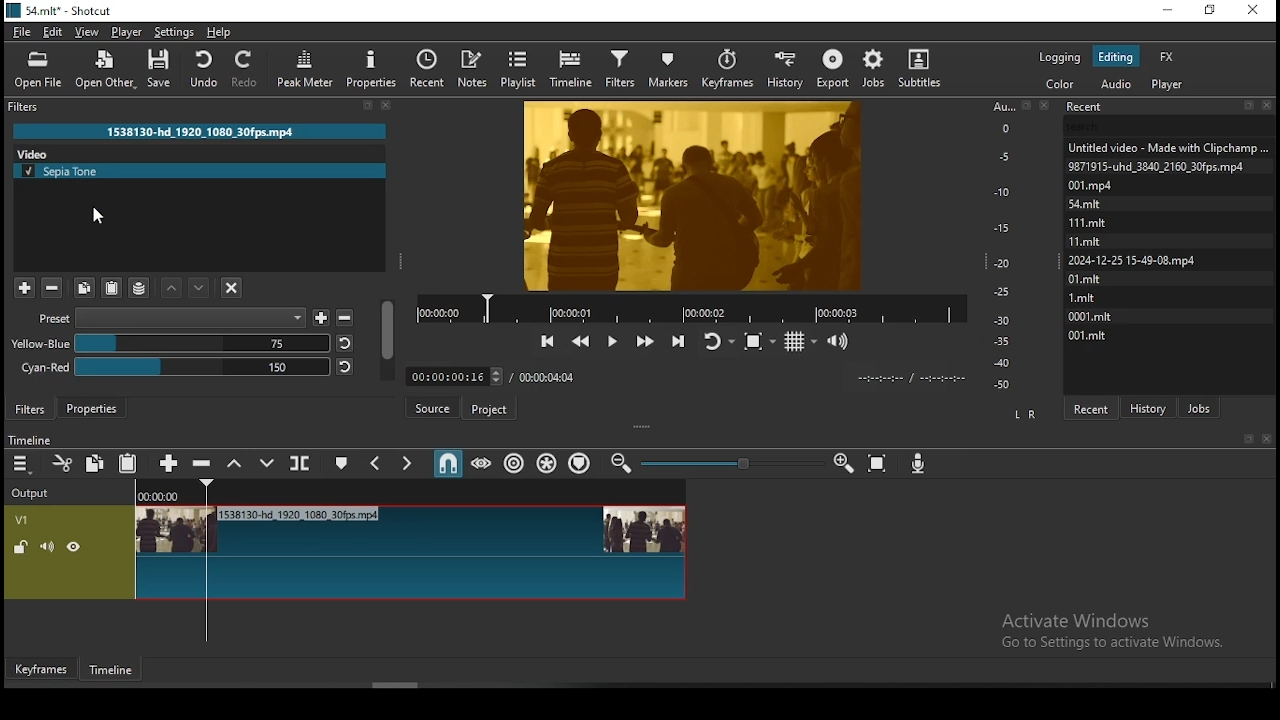 This screenshot has width=1280, height=720. Describe the element at coordinates (125, 32) in the screenshot. I see `player` at that location.